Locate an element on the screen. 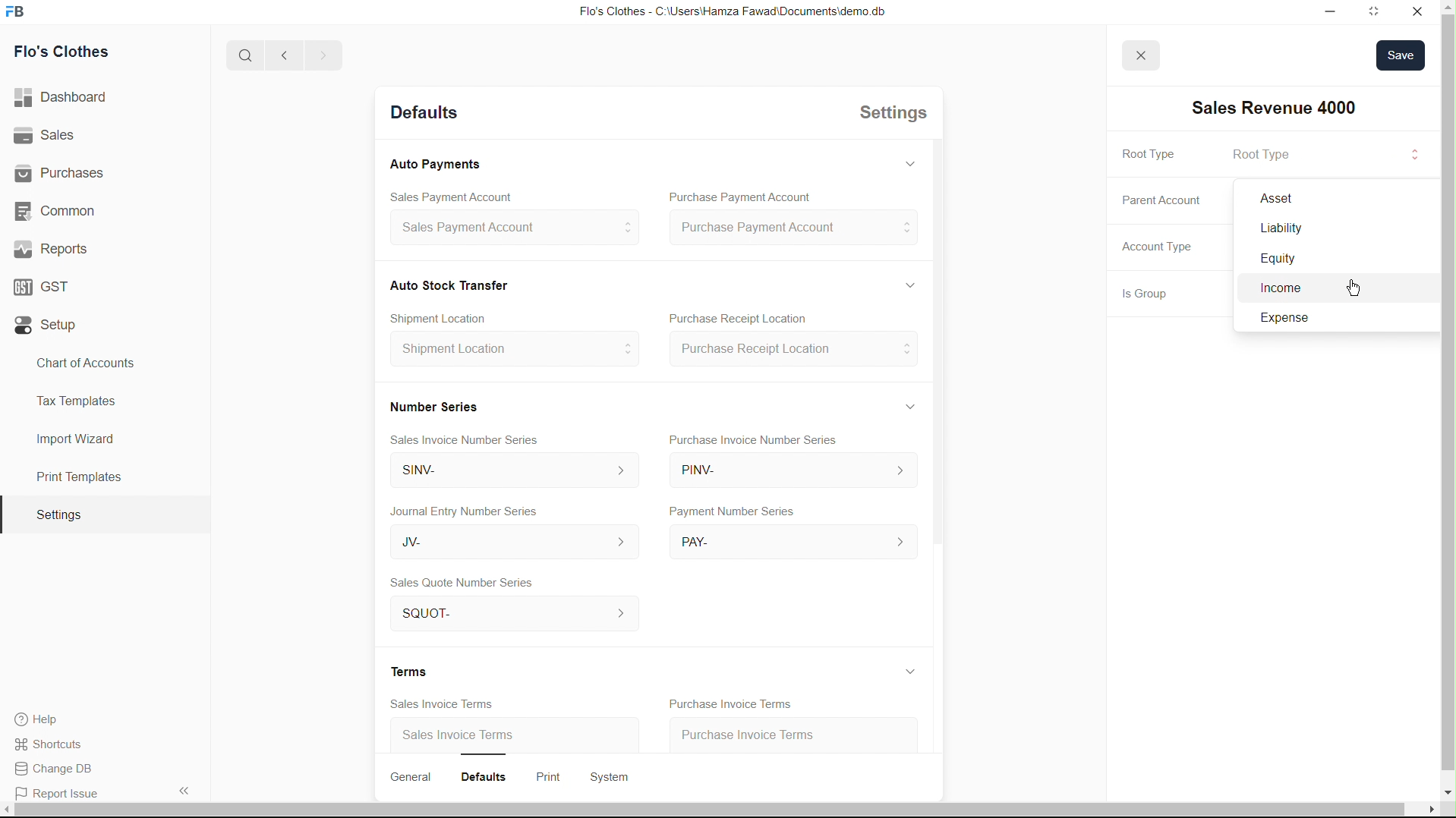  Hide  is located at coordinates (915, 283).